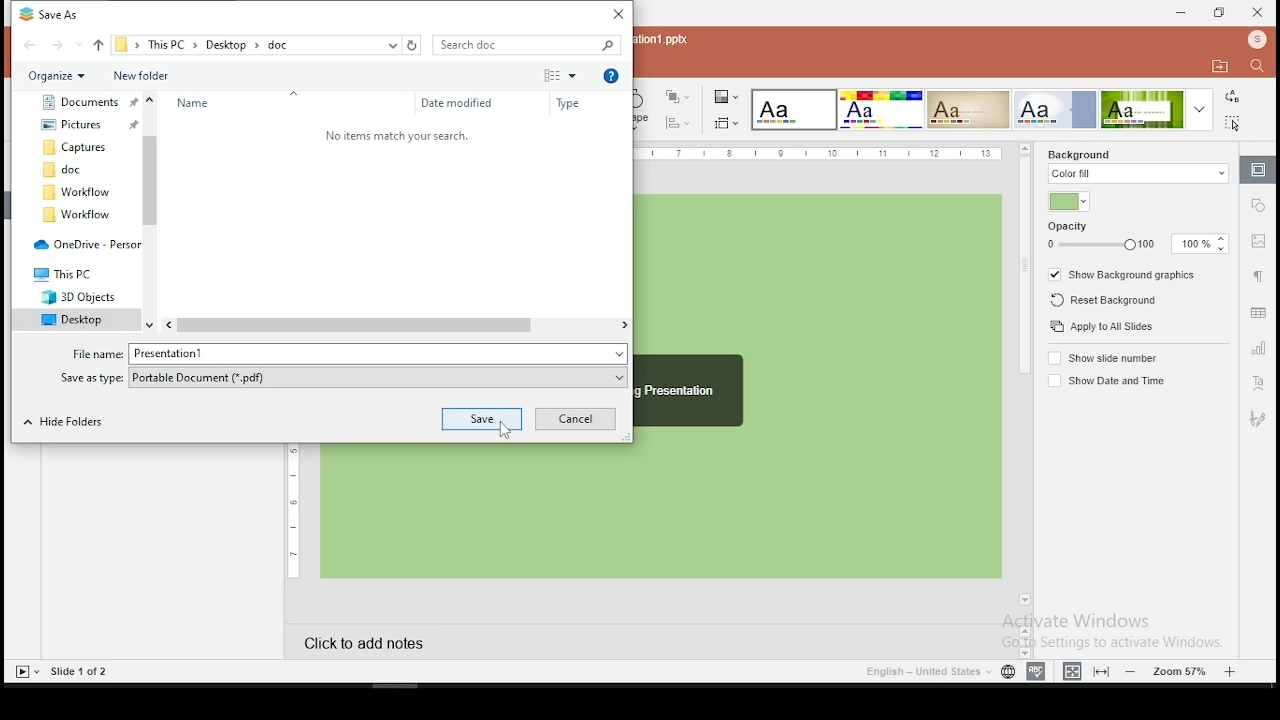 This screenshot has width=1280, height=720. What do you see at coordinates (25, 672) in the screenshot?
I see `start slide show` at bounding box center [25, 672].